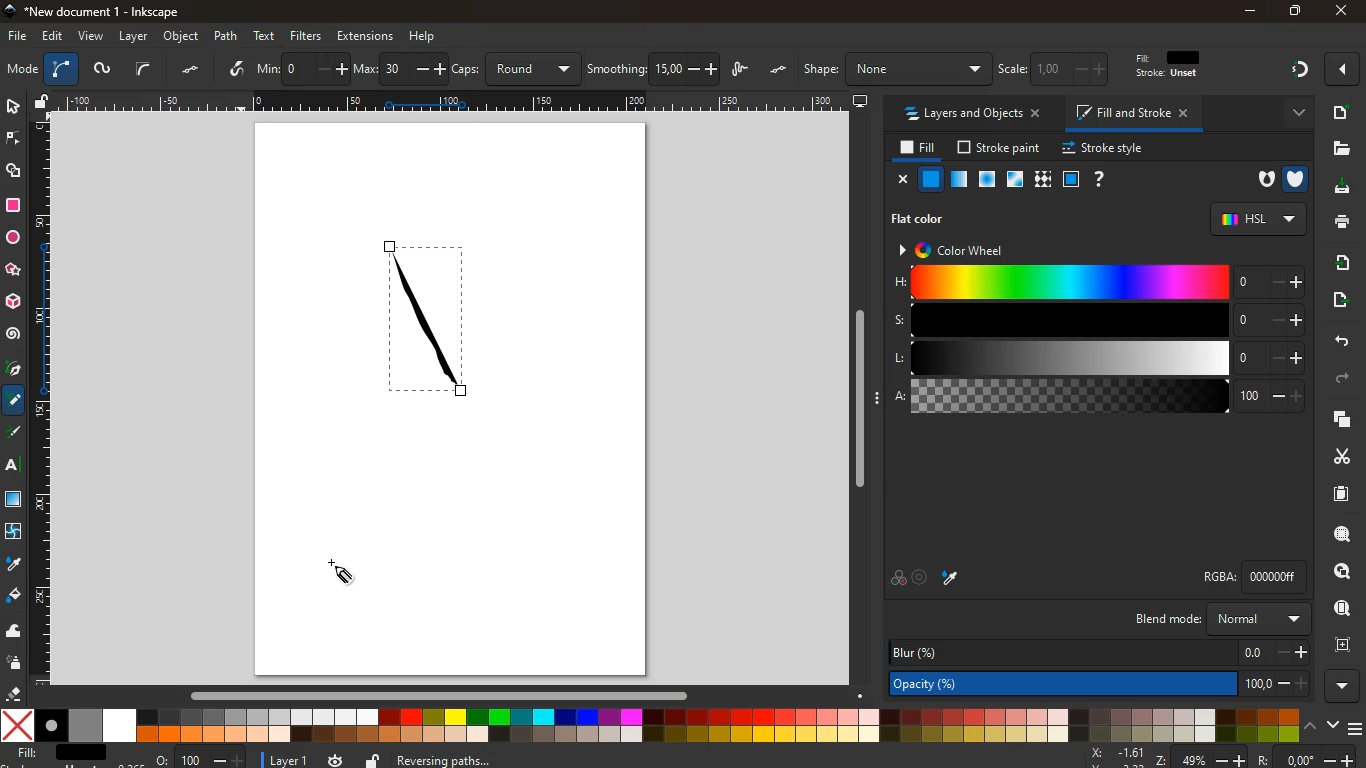  I want to click on paint, so click(951, 577).